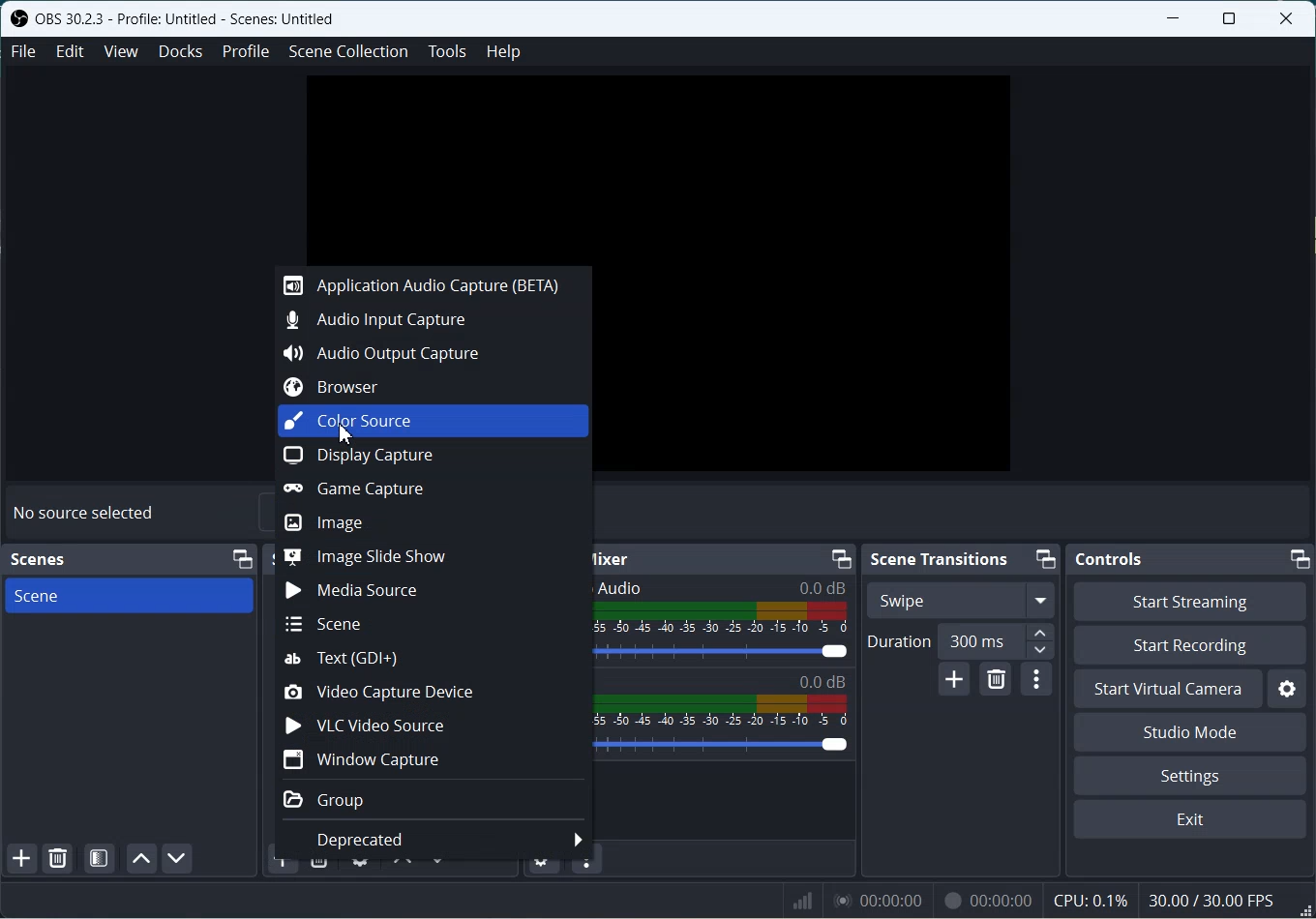 This screenshot has width=1316, height=919. Describe the element at coordinates (727, 618) in the screenshot. I see `Volume Indicator` at that location.